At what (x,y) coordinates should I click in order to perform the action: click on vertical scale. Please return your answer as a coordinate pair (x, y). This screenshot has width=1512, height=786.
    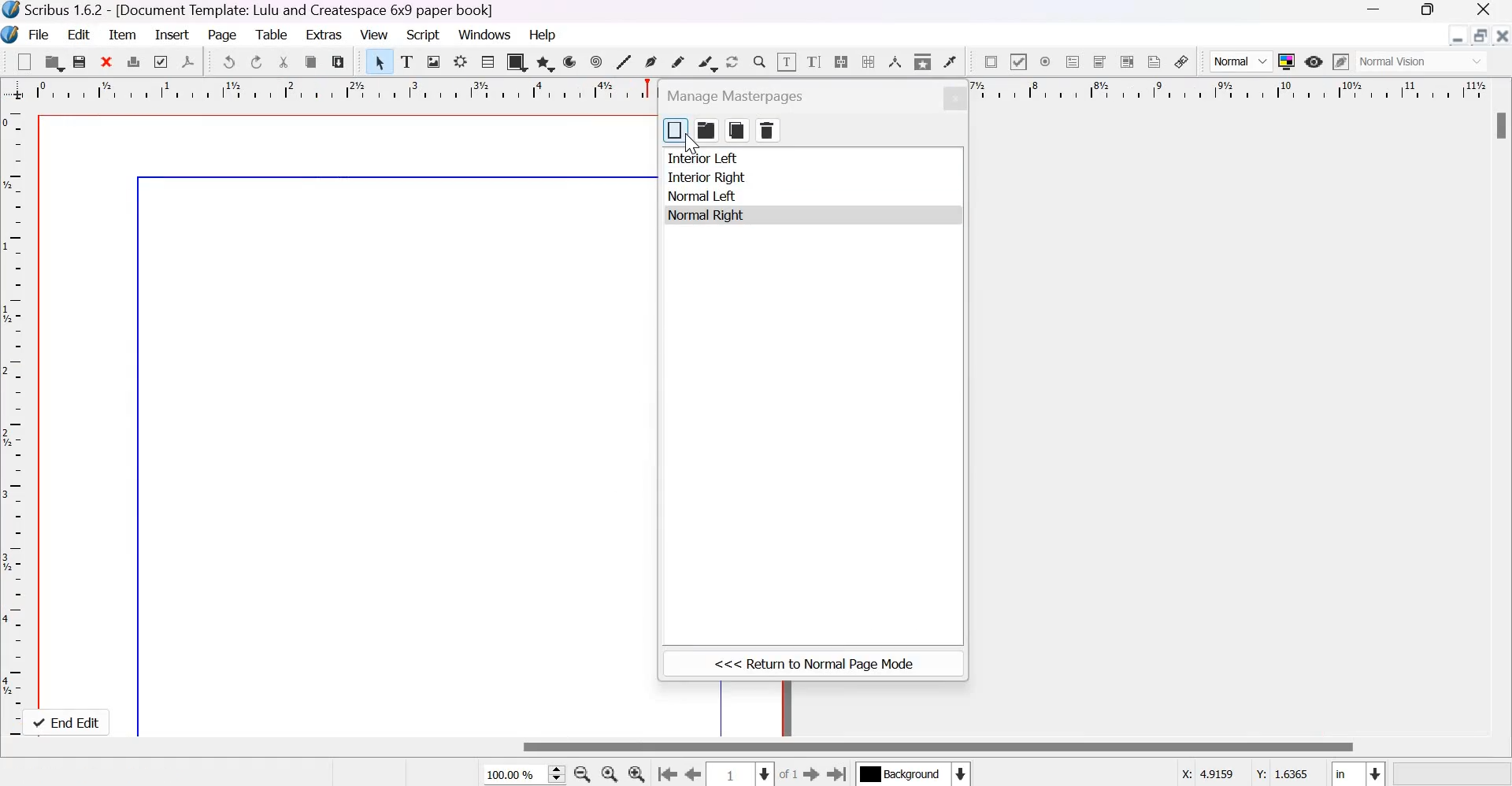
    Looking at the image, I should click on (16, 418).